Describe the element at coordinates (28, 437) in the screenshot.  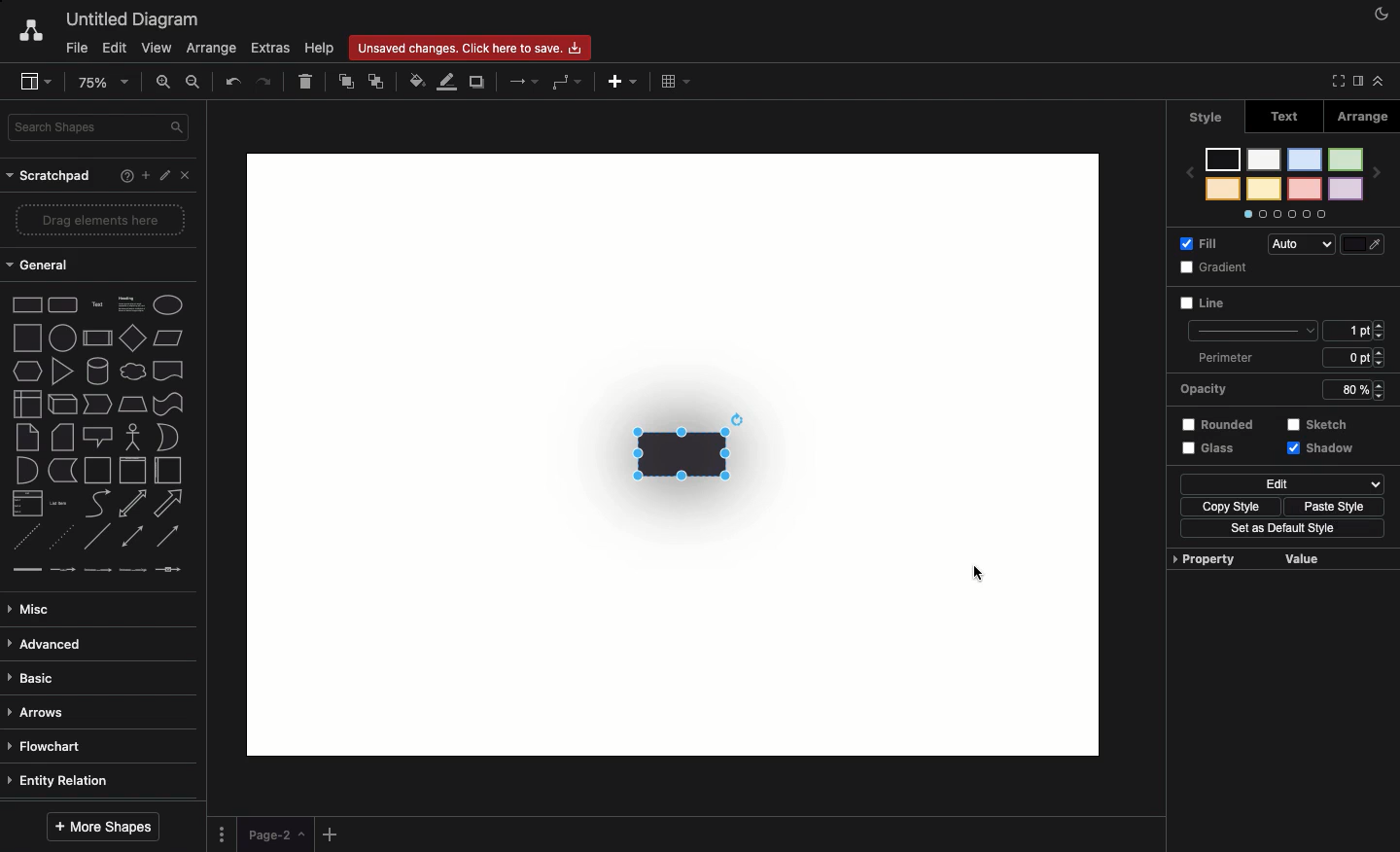
I see `note` at that location.